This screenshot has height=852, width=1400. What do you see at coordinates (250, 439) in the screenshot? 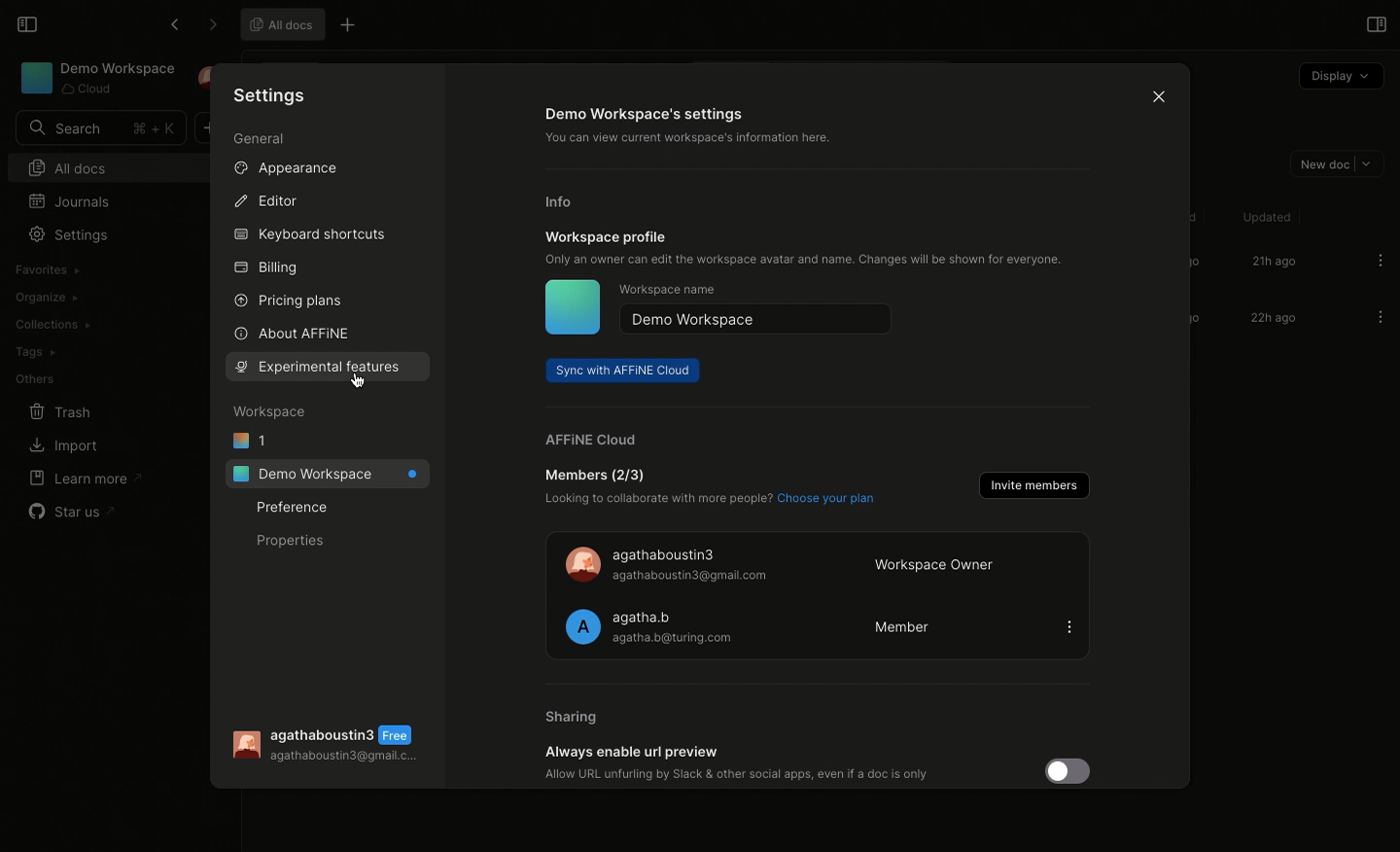
I see `1` at bounding box center [250, 439].